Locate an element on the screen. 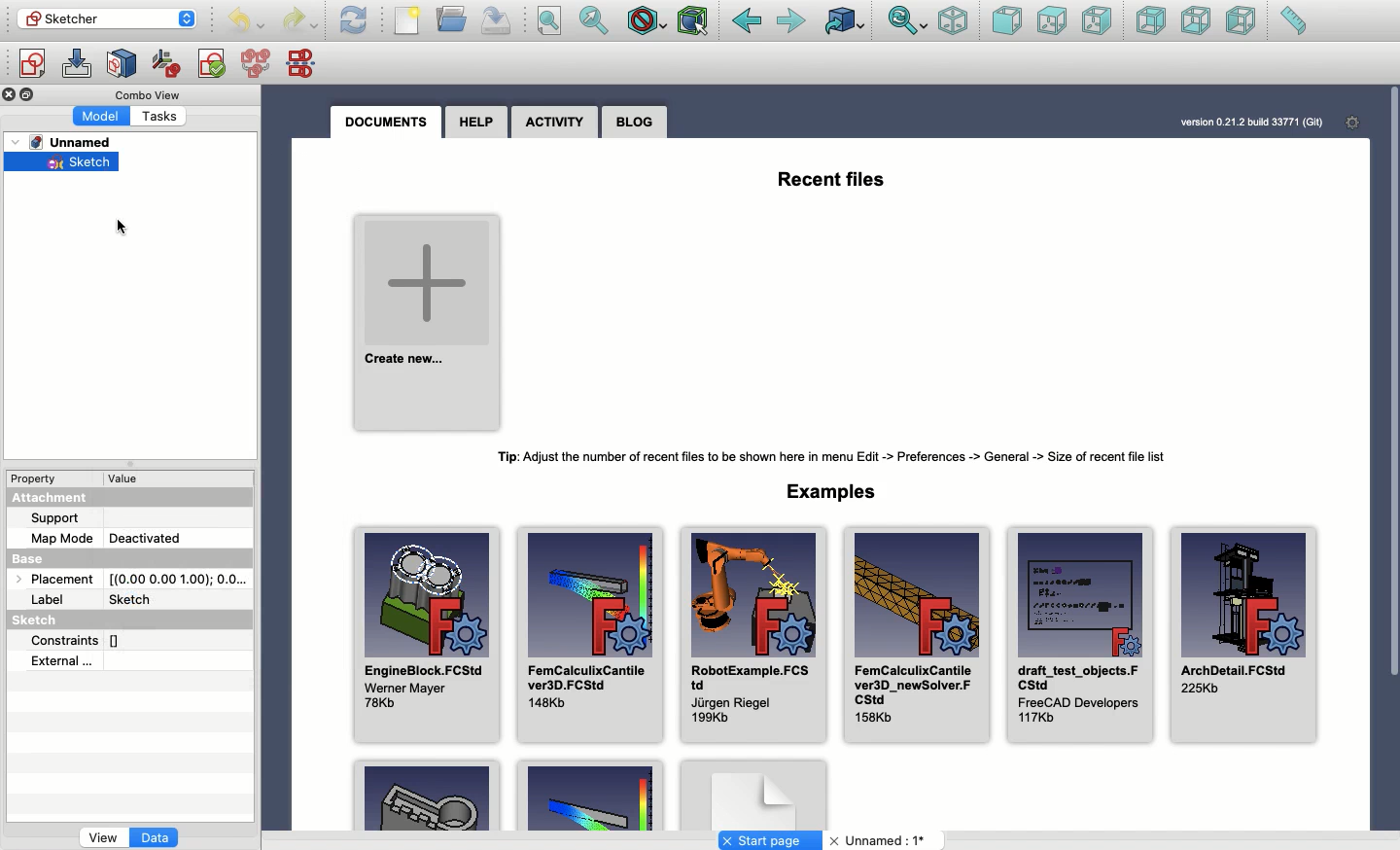  Map sketch to face is located at coordinates (122, 65).